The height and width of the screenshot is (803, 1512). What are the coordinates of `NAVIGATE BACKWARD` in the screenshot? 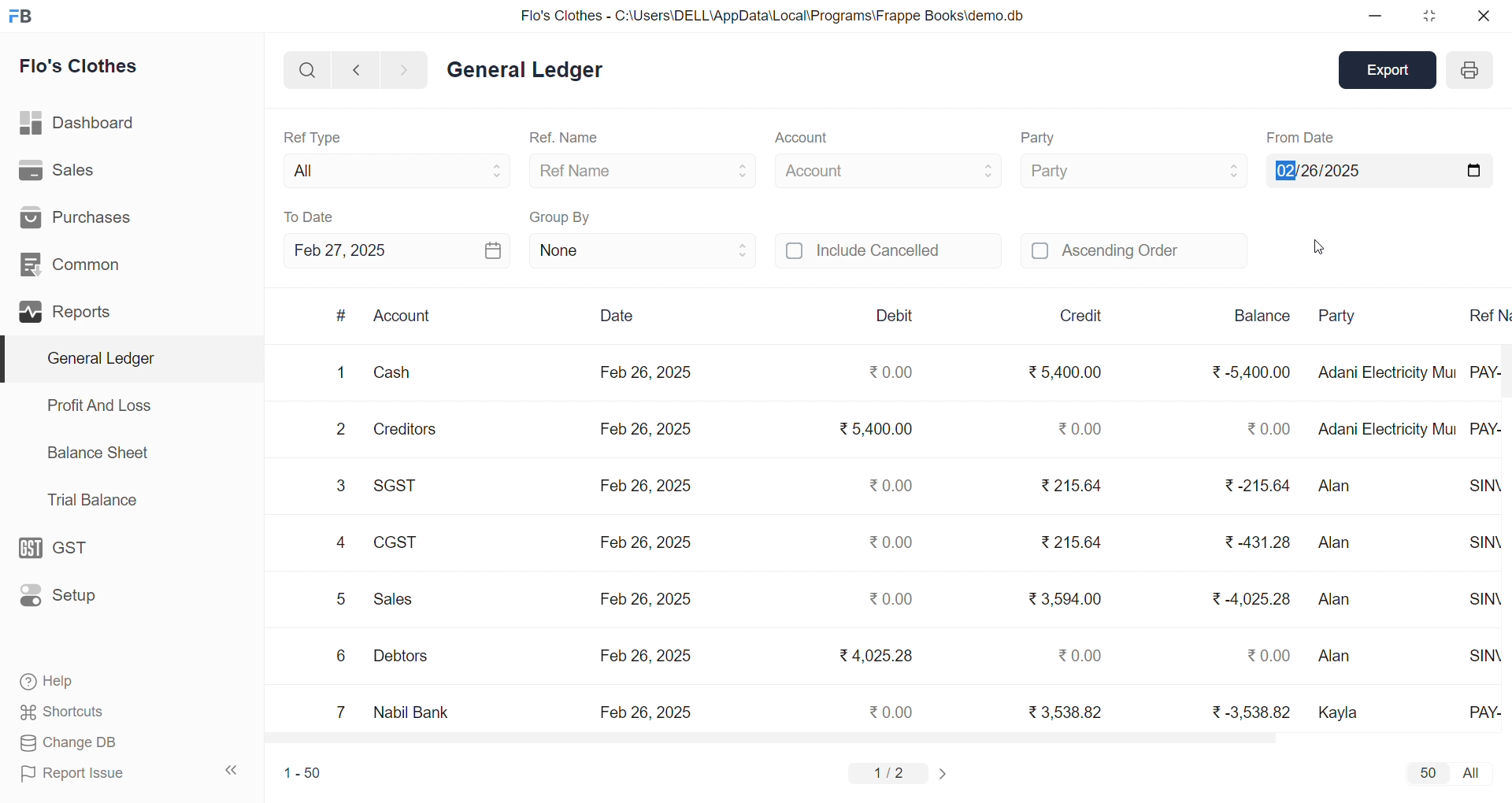 It's located at (355, 68).